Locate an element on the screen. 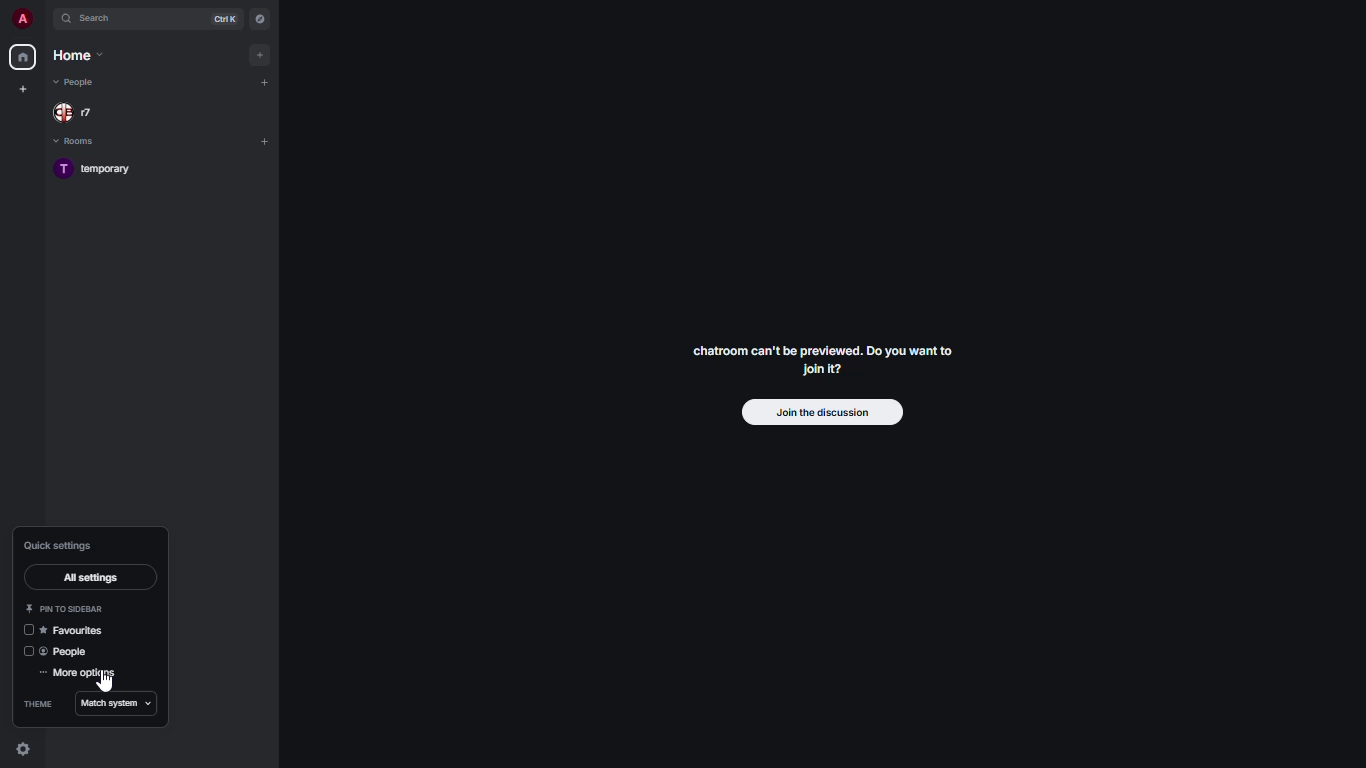  home is located at coordinates (78, 55).